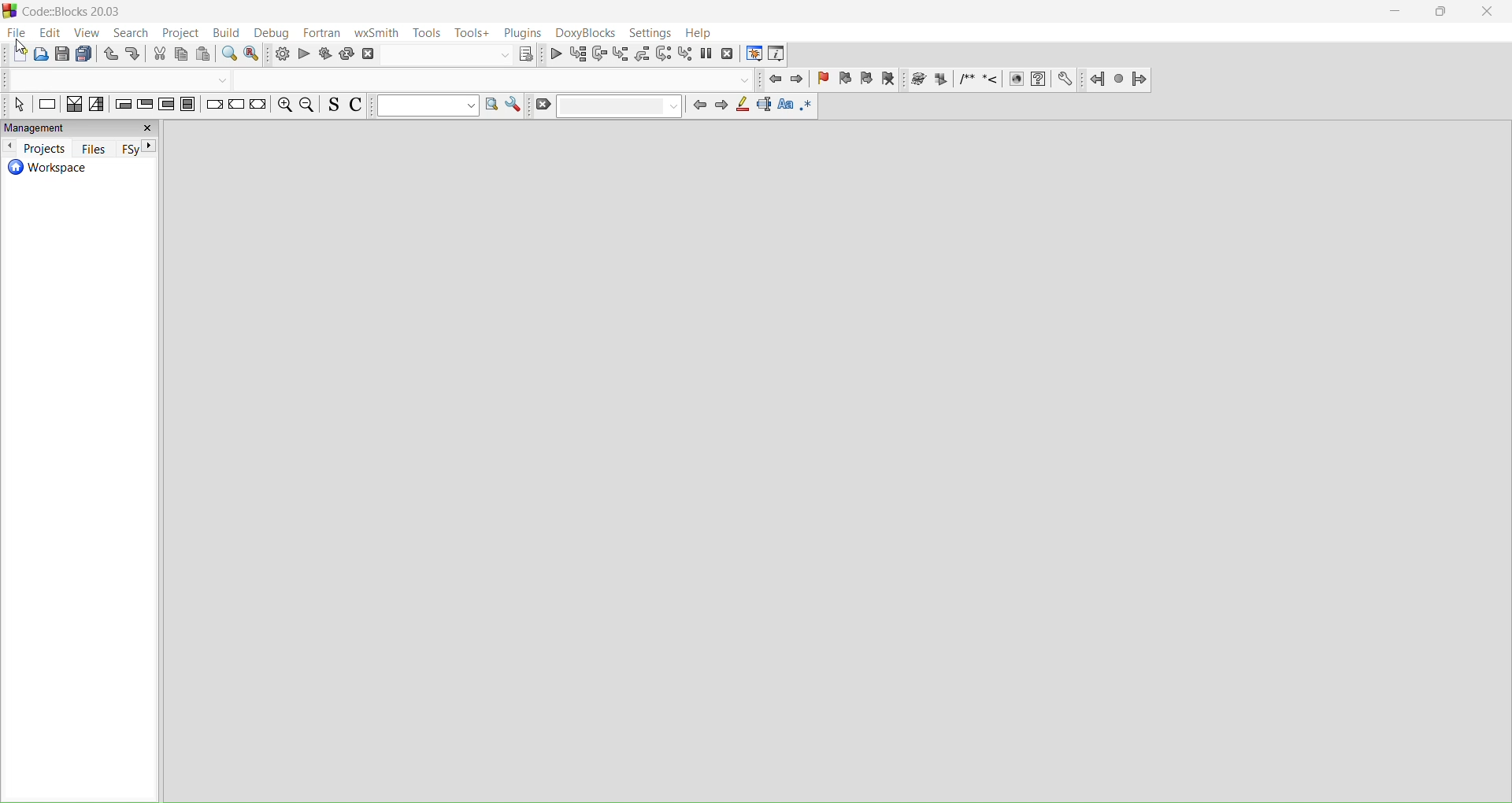 Image resolution: width=1512 pixels, height=803 pixels. What do you see at coordinates (967, 80) in the screenshot?
I see `Insert comment block` at bounding box center [967, 80].